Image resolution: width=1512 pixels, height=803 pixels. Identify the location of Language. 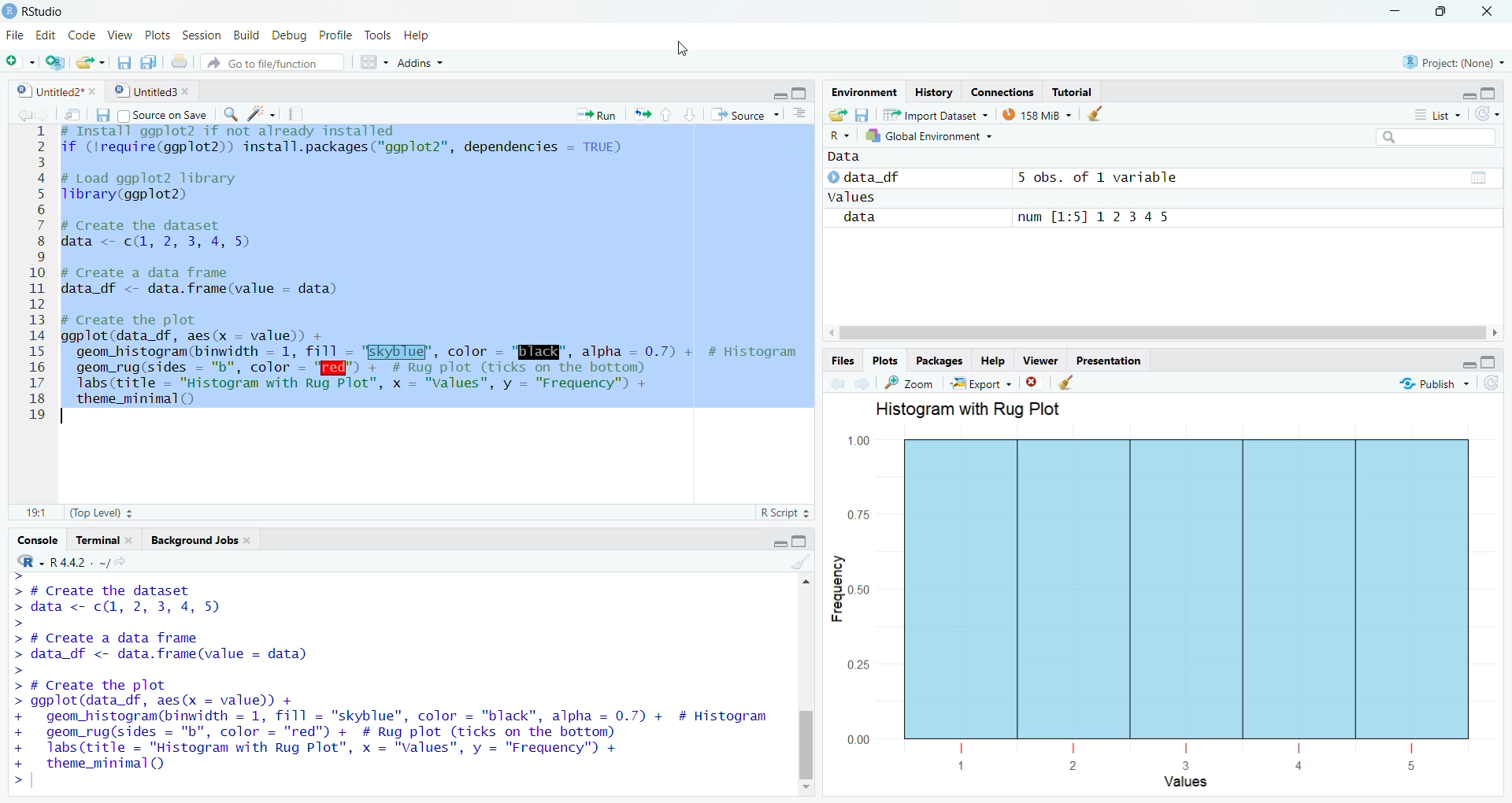
(830, 138).